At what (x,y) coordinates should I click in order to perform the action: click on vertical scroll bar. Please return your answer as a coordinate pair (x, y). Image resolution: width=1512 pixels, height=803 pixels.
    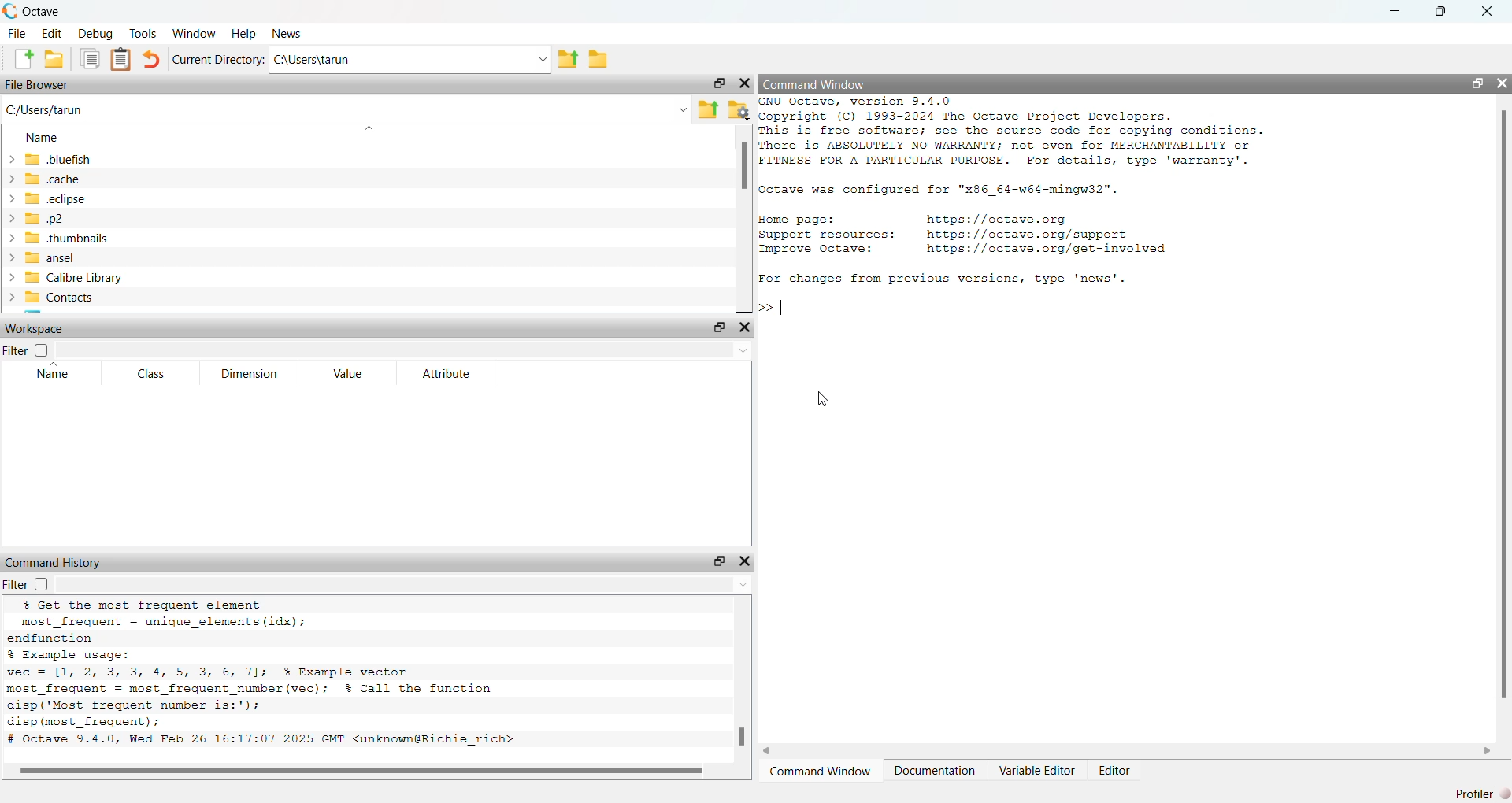
    Looking at the image, I should click on (744, 679).